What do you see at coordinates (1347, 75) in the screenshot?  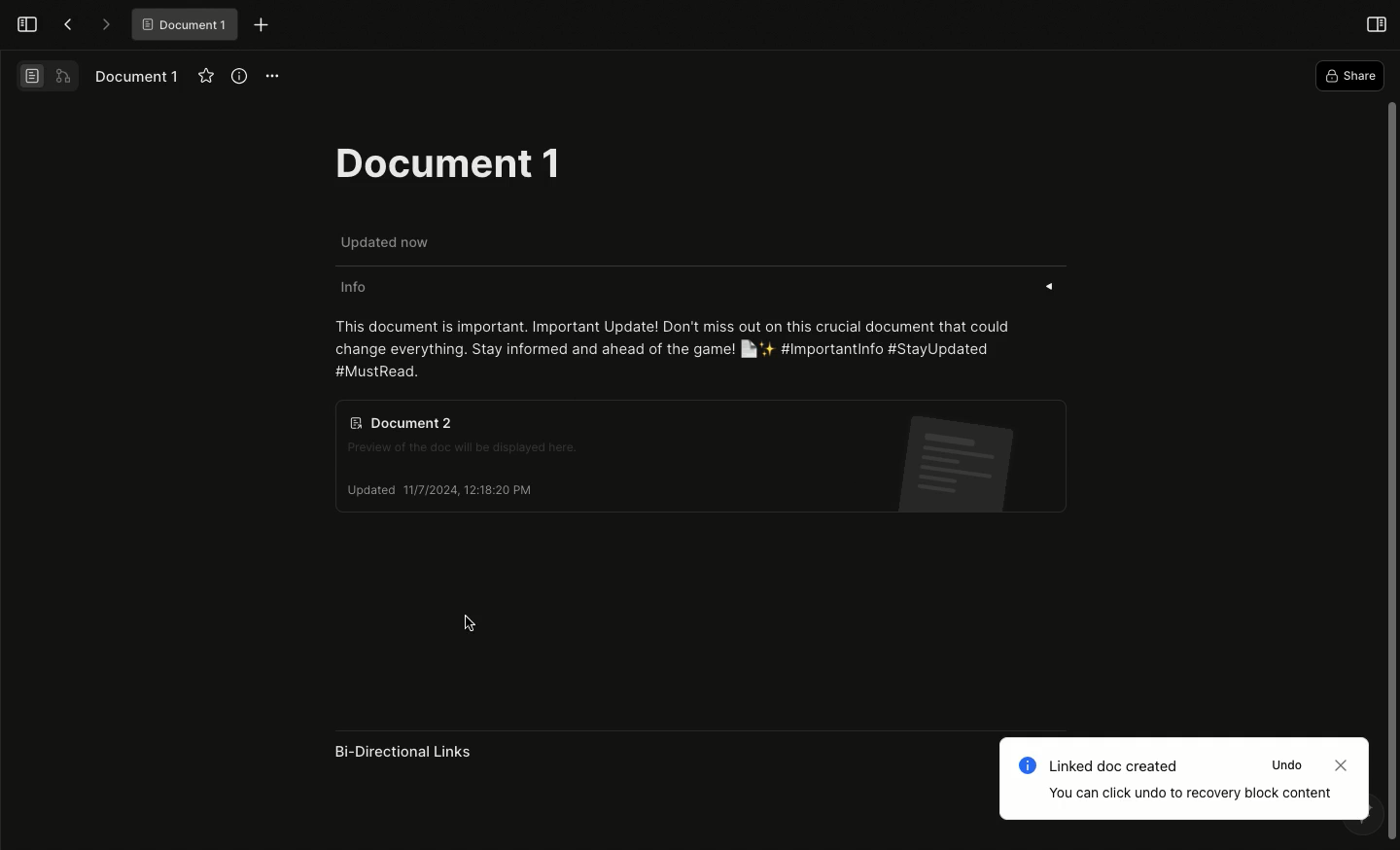 I see `Share` at bounding box center [1347, 75].